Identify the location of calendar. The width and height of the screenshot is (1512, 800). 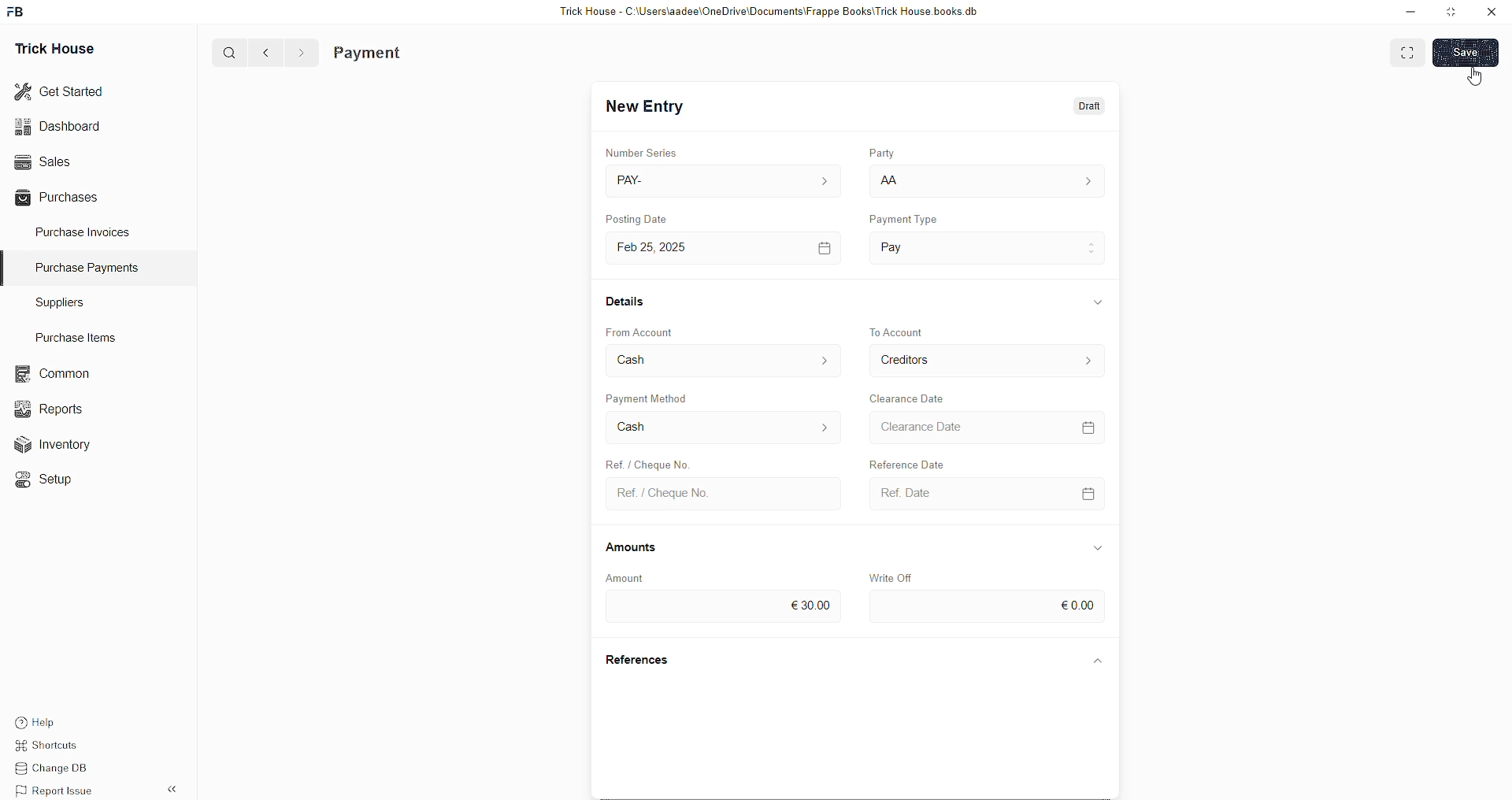
(1095, 491).